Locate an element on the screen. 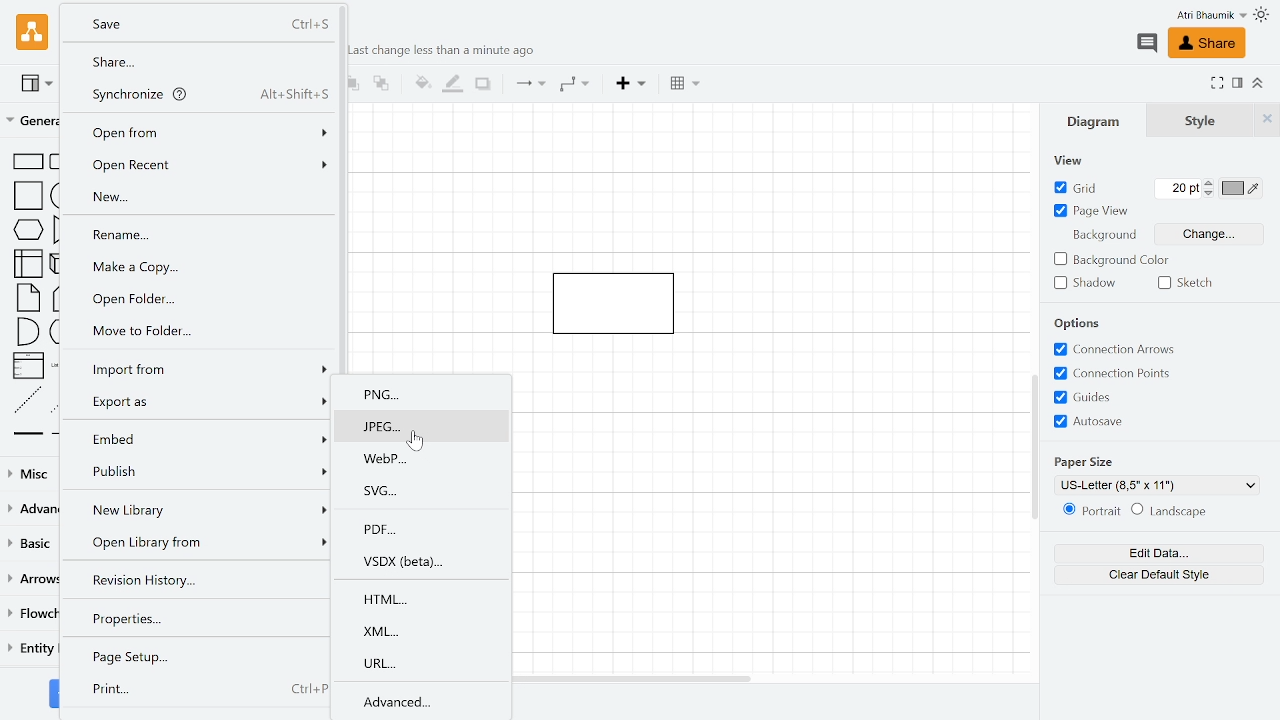  WebP is located at coordinates (426, 458).